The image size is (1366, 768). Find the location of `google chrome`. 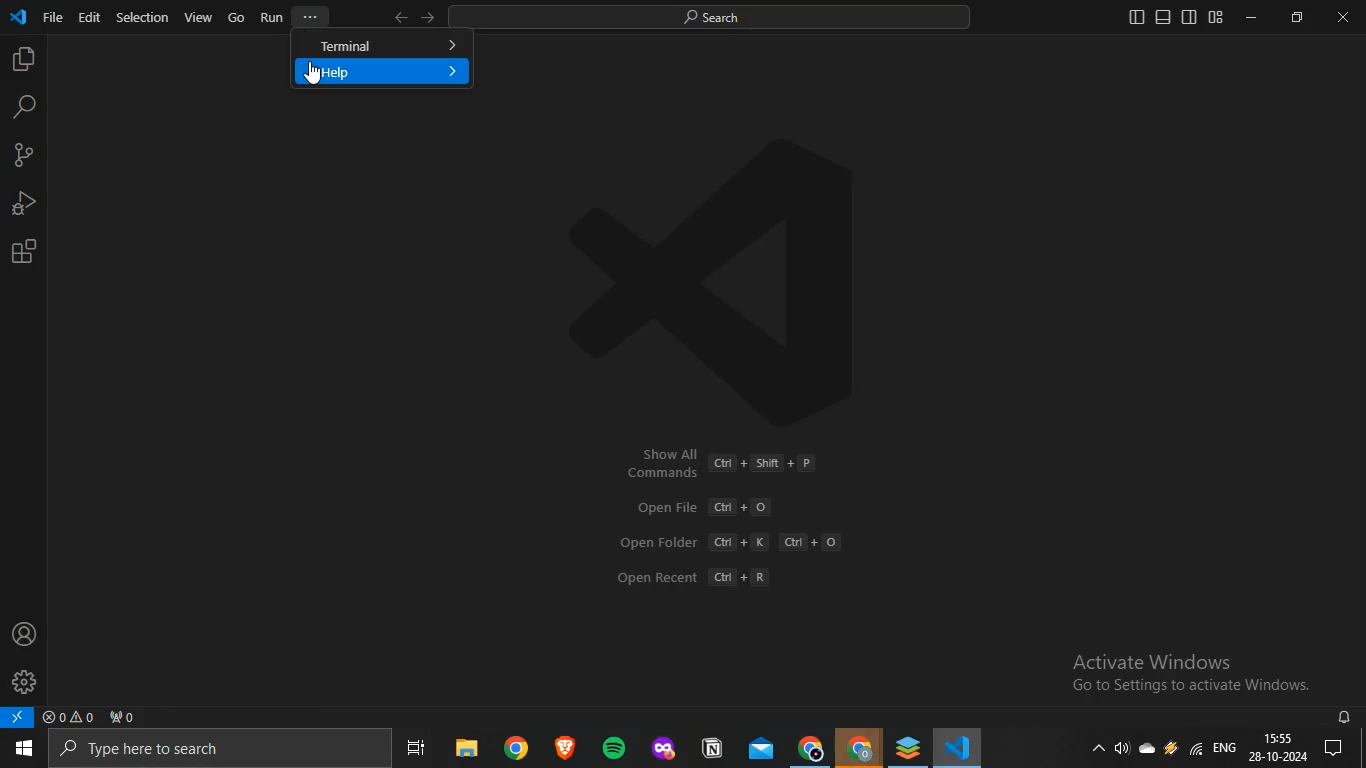

google chrome is located at coordinates (859, 749).